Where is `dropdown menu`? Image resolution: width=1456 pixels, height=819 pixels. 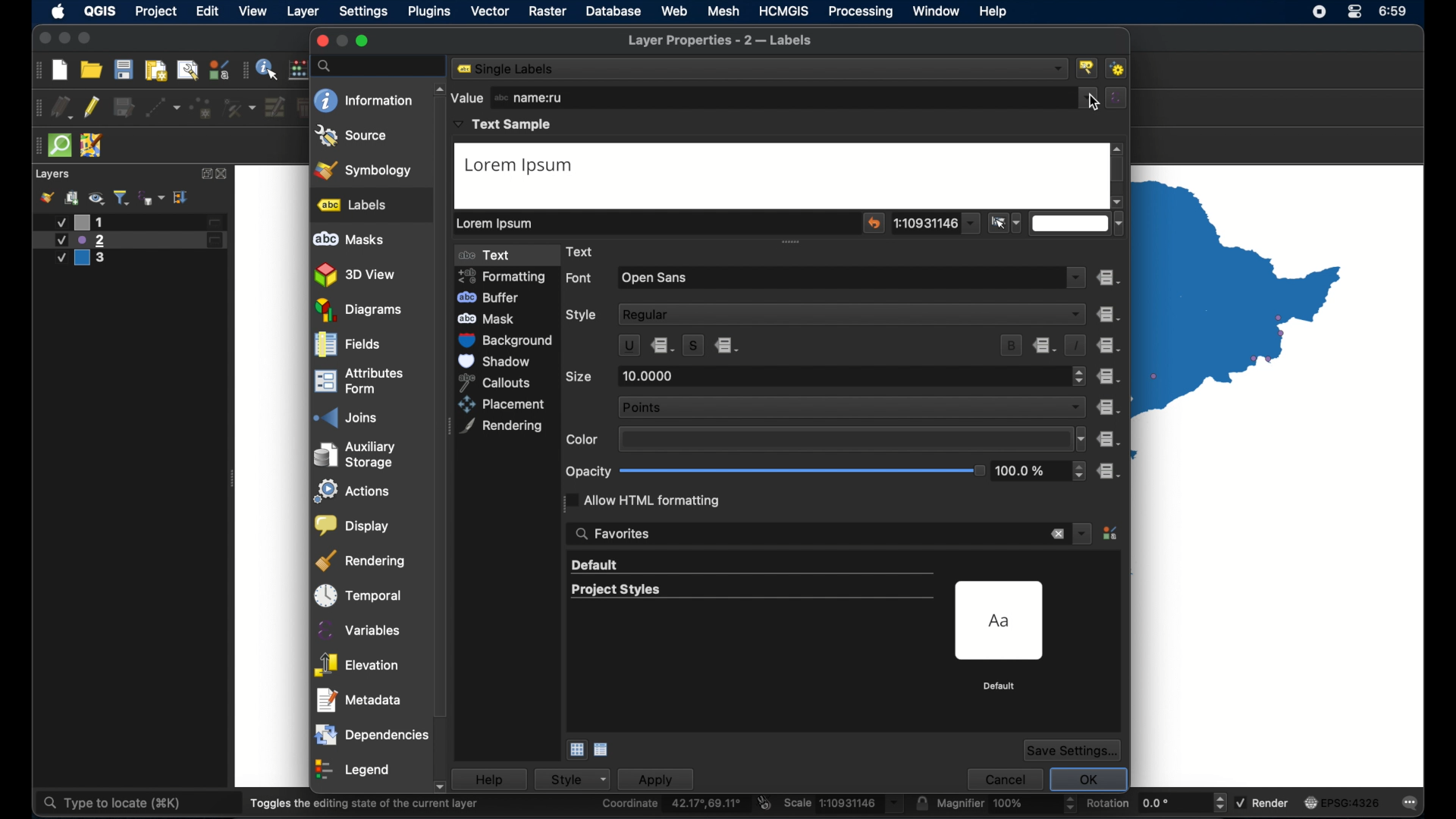
dropdown menu is located at coordinates (1082, 532).